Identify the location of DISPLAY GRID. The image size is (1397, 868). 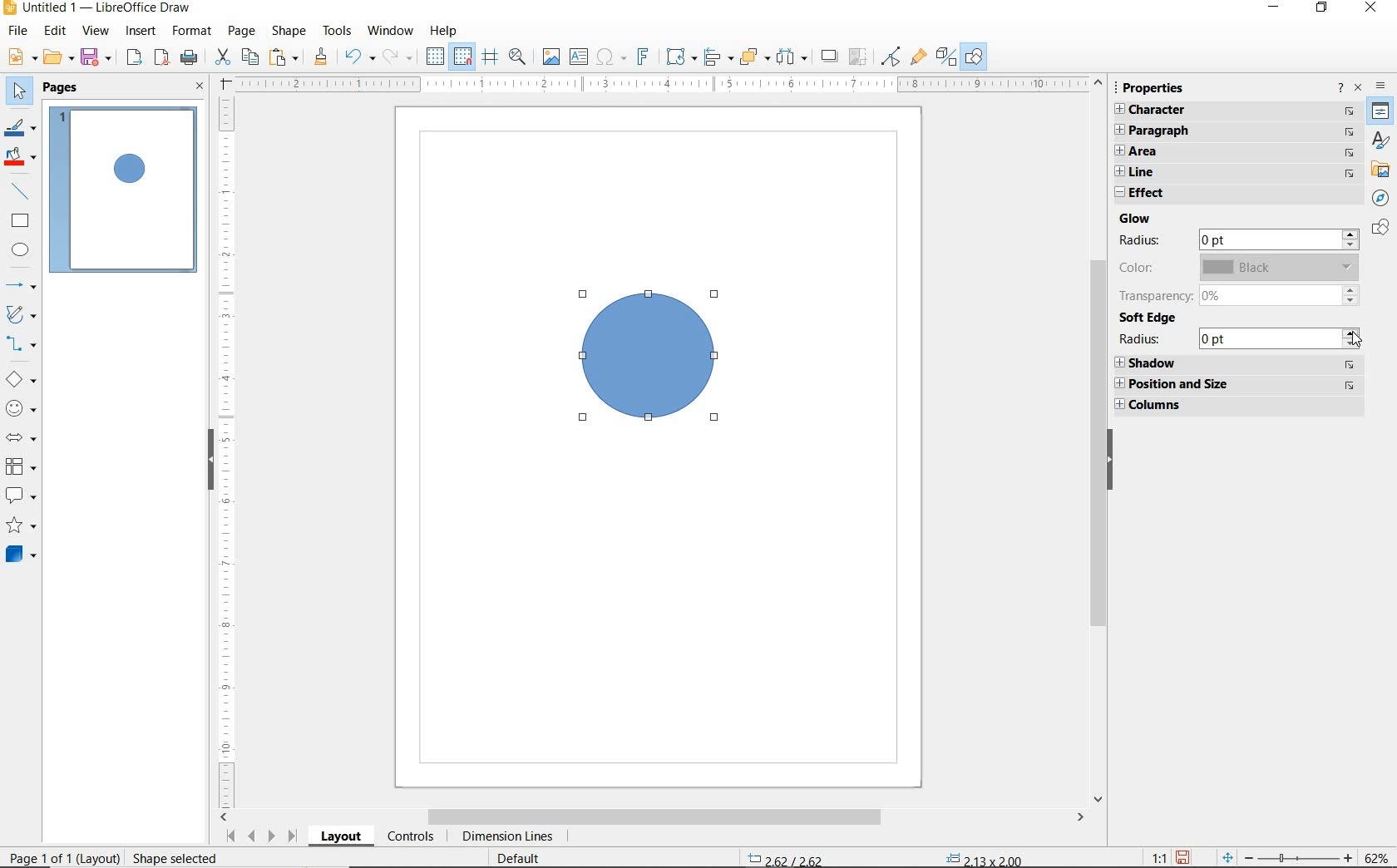
(434, 57).